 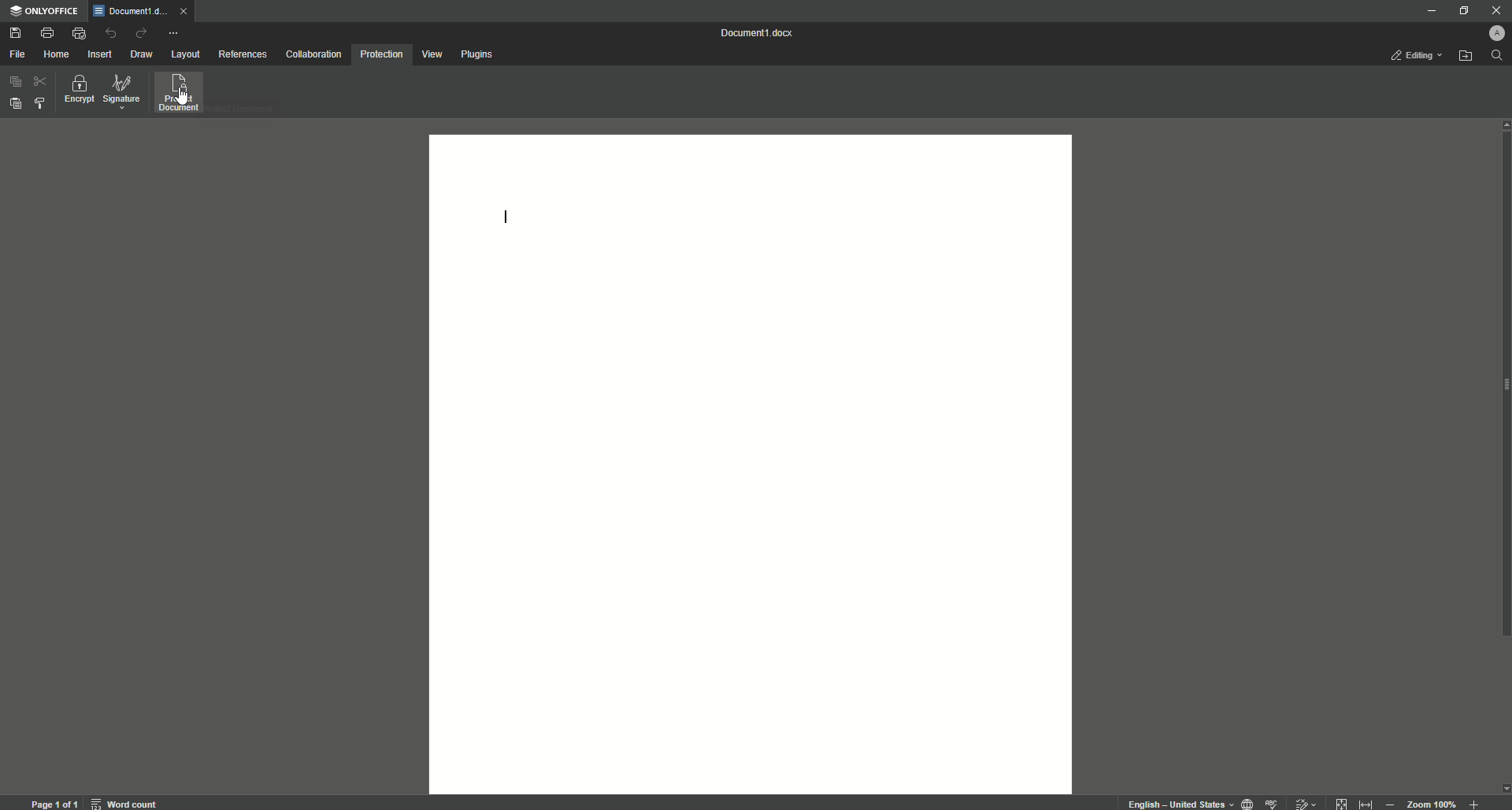 What do you see at coordinates (1364, 803) in the screenshot?
I see `fit to width` at bounding box center [1364, 803].